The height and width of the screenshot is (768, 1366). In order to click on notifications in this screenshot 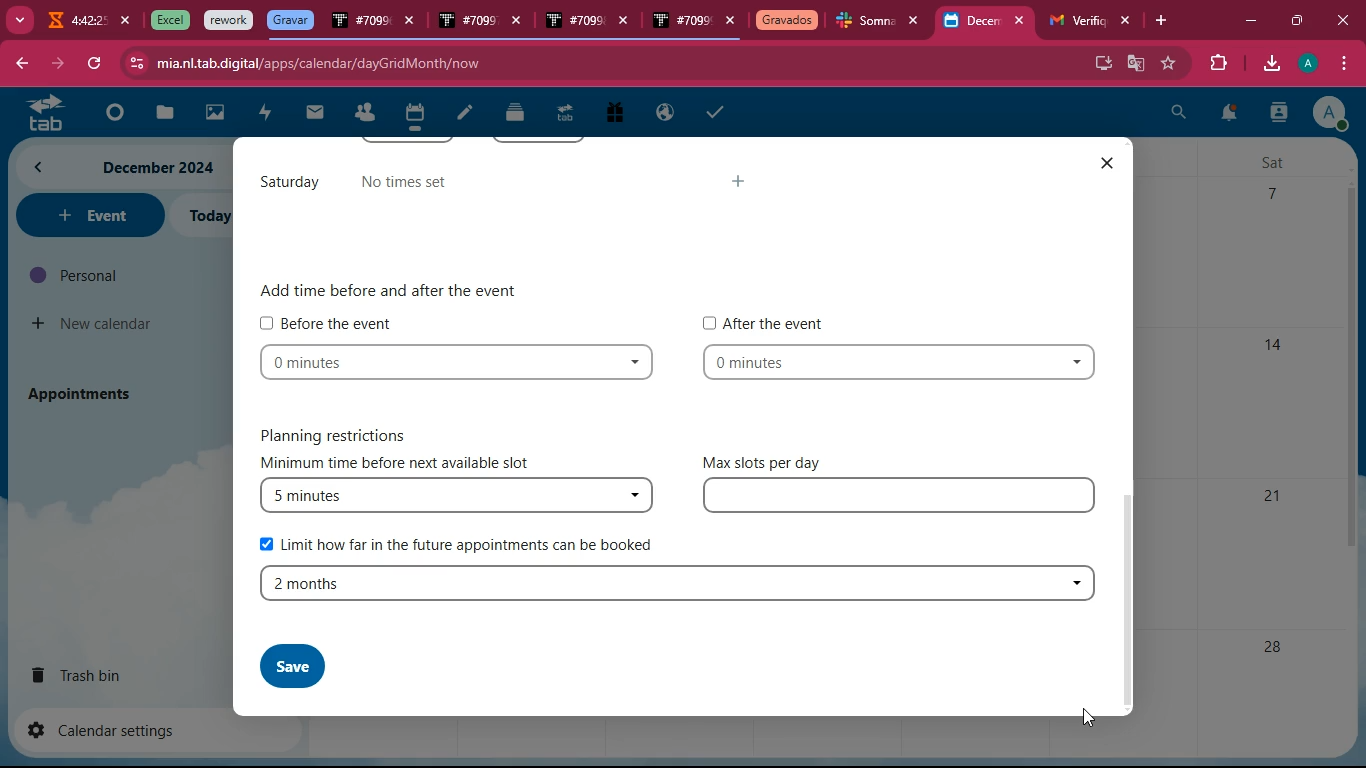, I will do `click(1227, 116)`.